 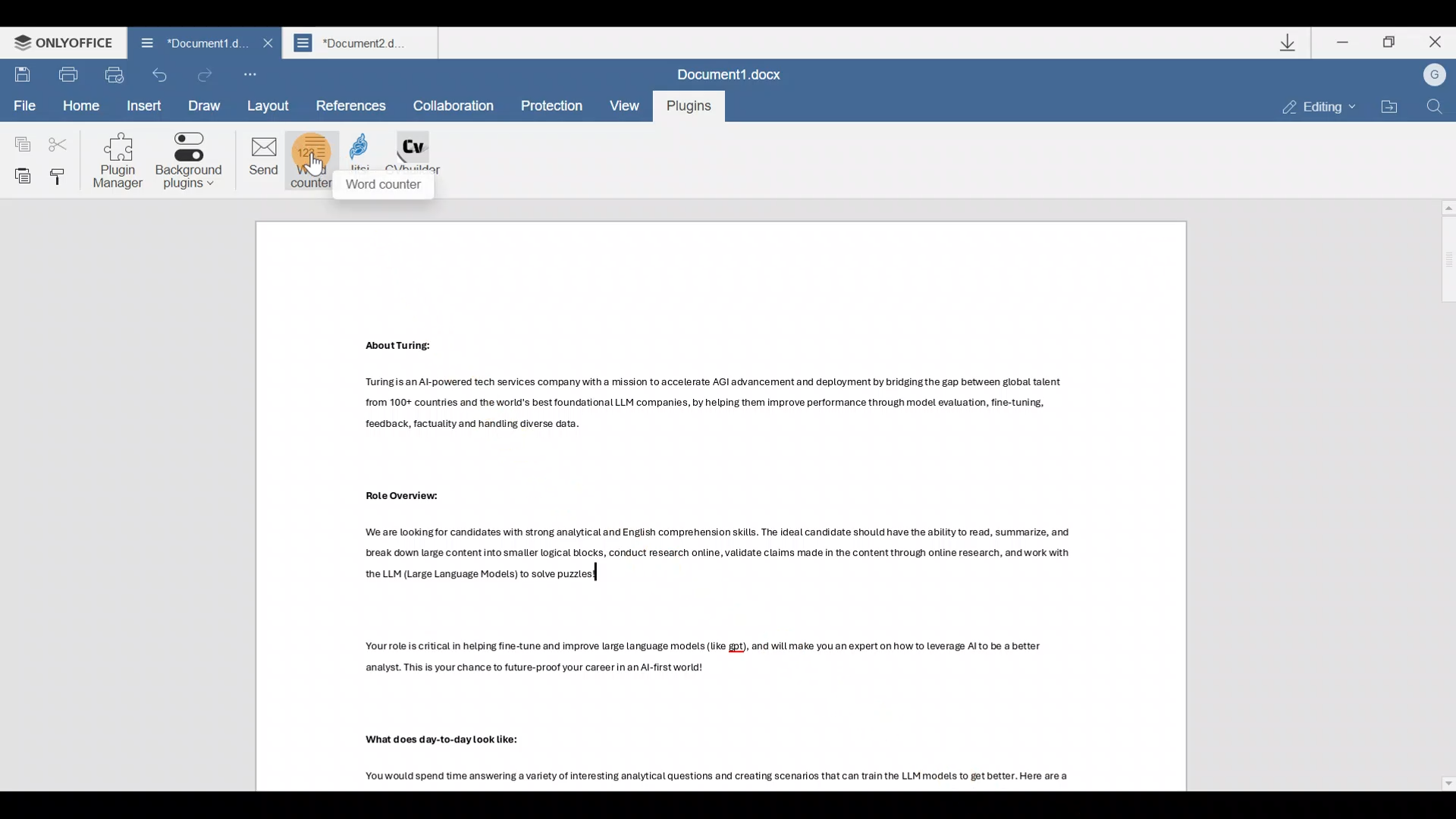 I want to click on Minimize, so click(x=1341, y=45).